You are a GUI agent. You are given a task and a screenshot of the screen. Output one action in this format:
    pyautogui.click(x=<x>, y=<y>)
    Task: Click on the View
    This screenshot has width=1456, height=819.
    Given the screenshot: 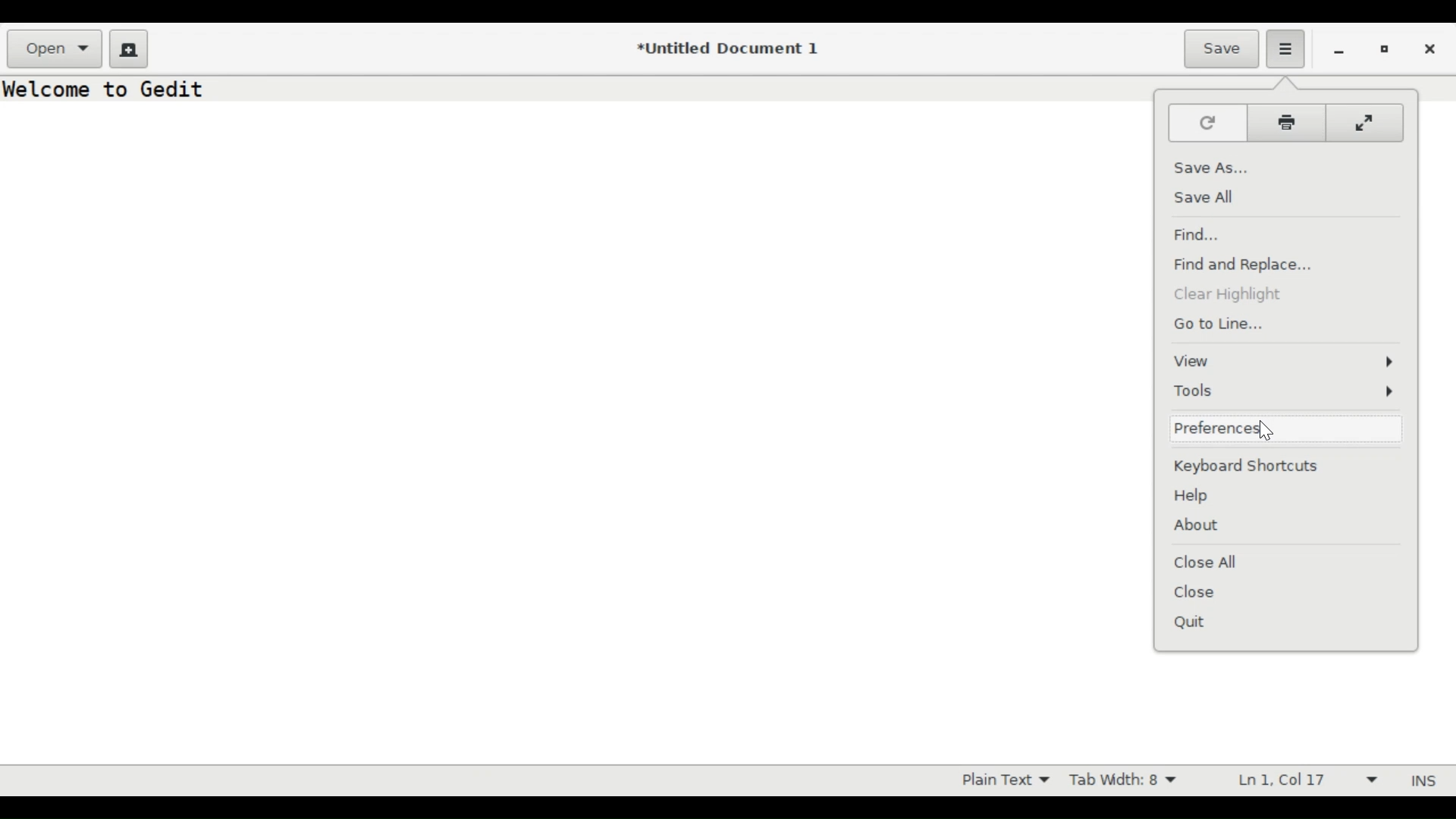 What is the action you would take?
    pyautogui.click(x=1284, y=360)
    